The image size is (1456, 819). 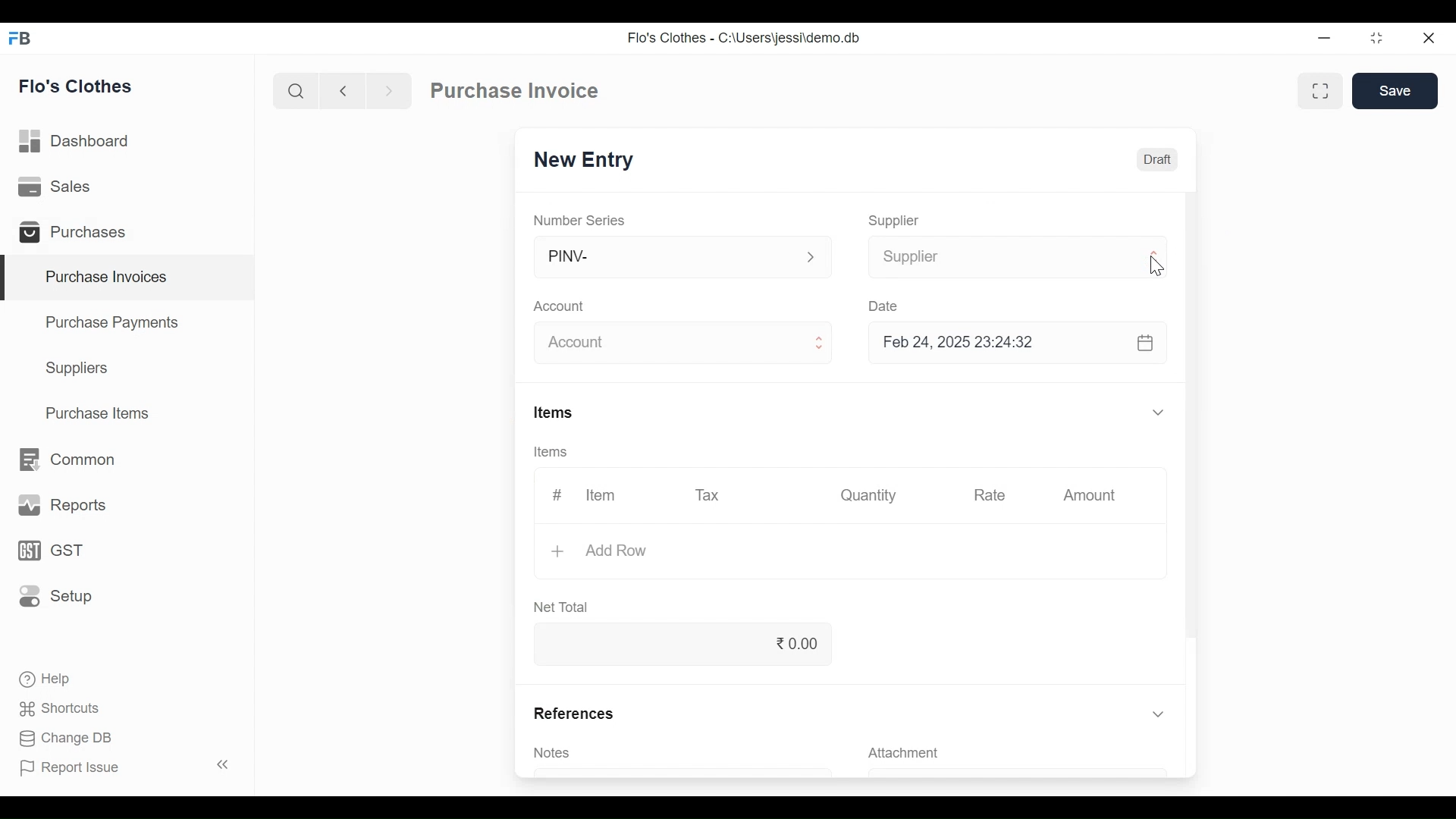 I want to click on Purchase Payments, so click(x=111, y=322).